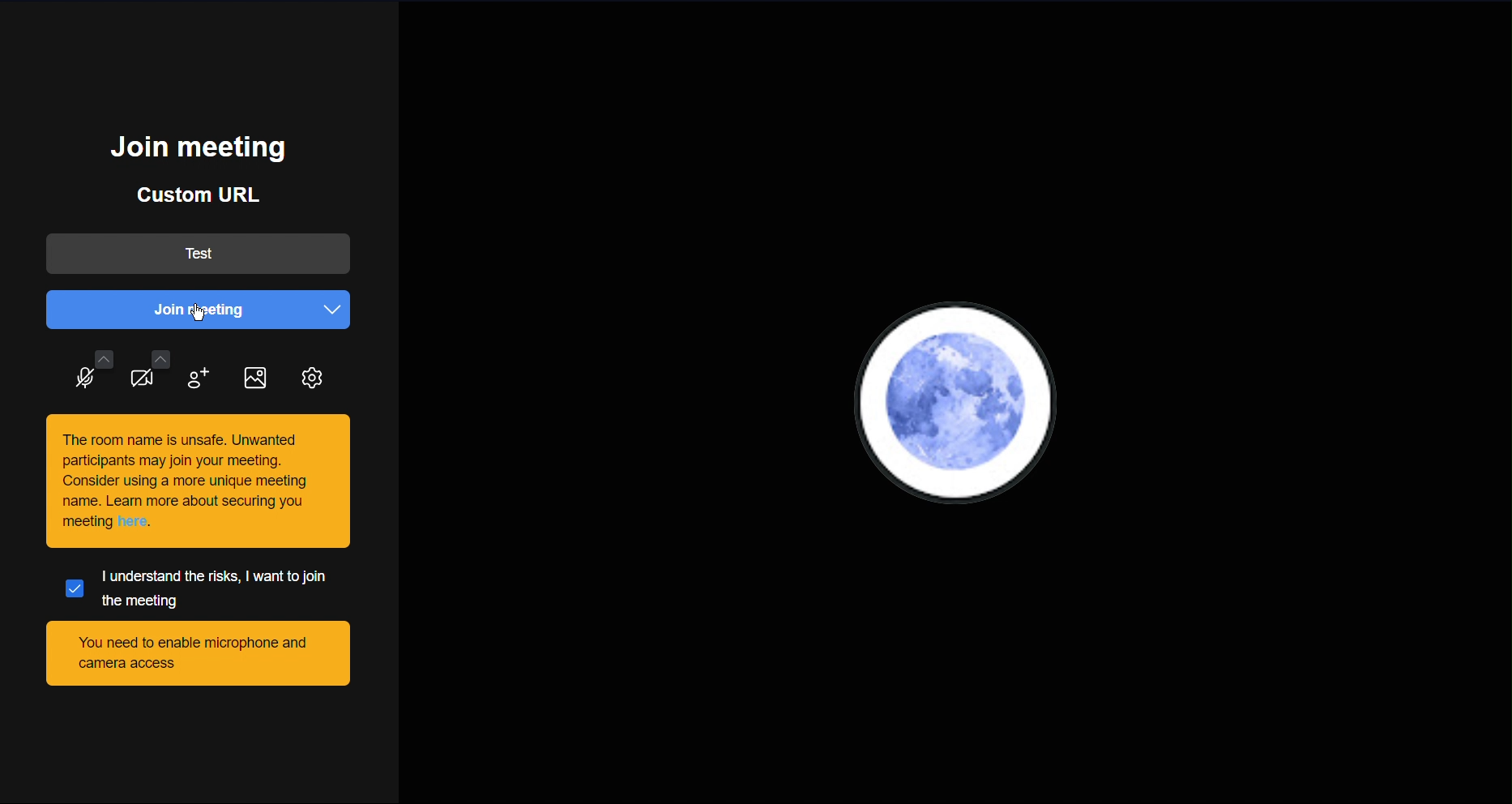  What do you see at coordinates (952, 404) in the screenshot?
I see `User PFP` at bounding box center [952, 404].